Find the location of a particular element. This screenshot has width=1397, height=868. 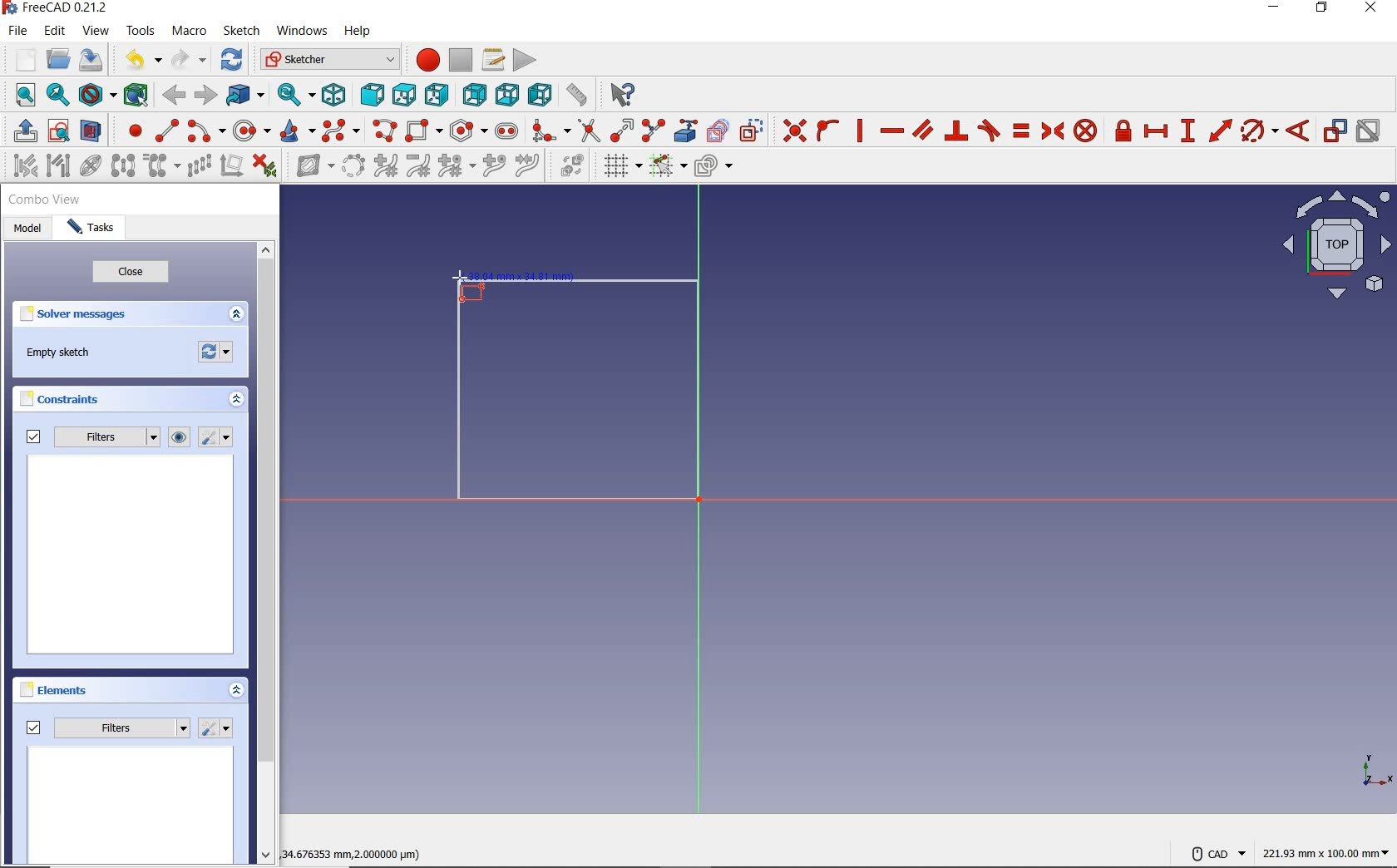

view is located at coordinates (96, 31).